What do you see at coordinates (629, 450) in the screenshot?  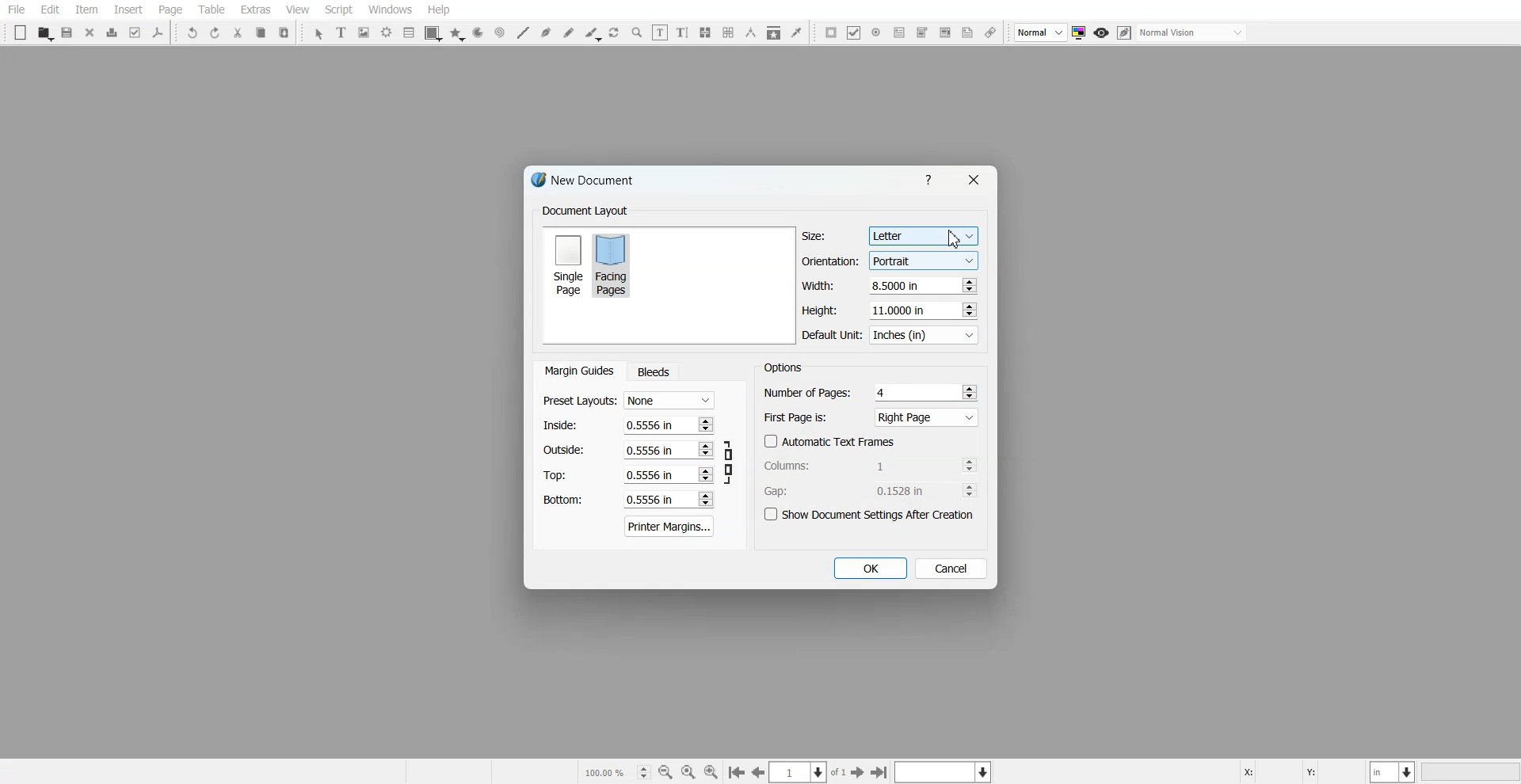 I see `Right margin adjuster` at bounding box center [629, 450].